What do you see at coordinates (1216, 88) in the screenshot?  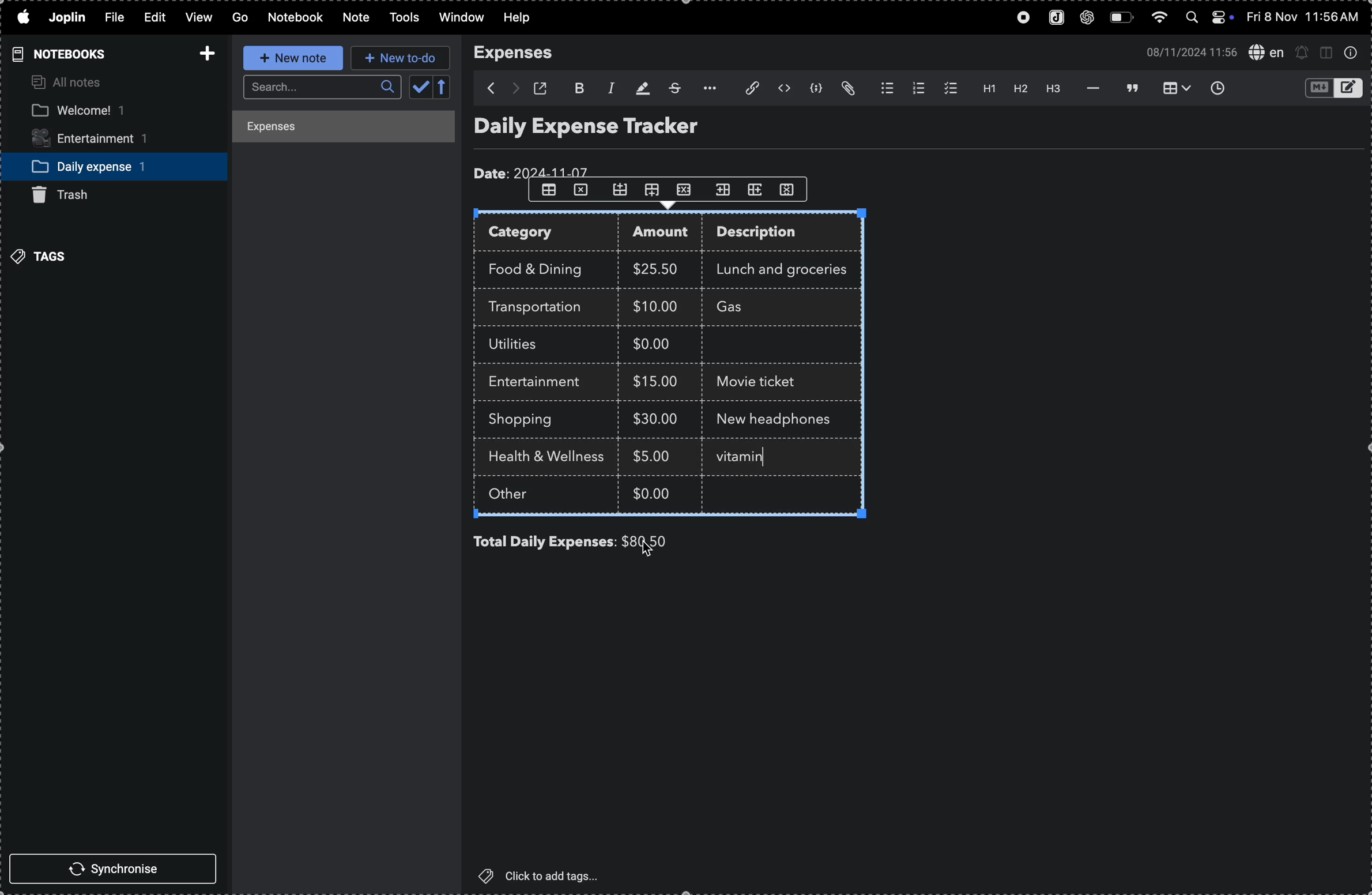 I see `insert time` at bounding box center [1216, 88].